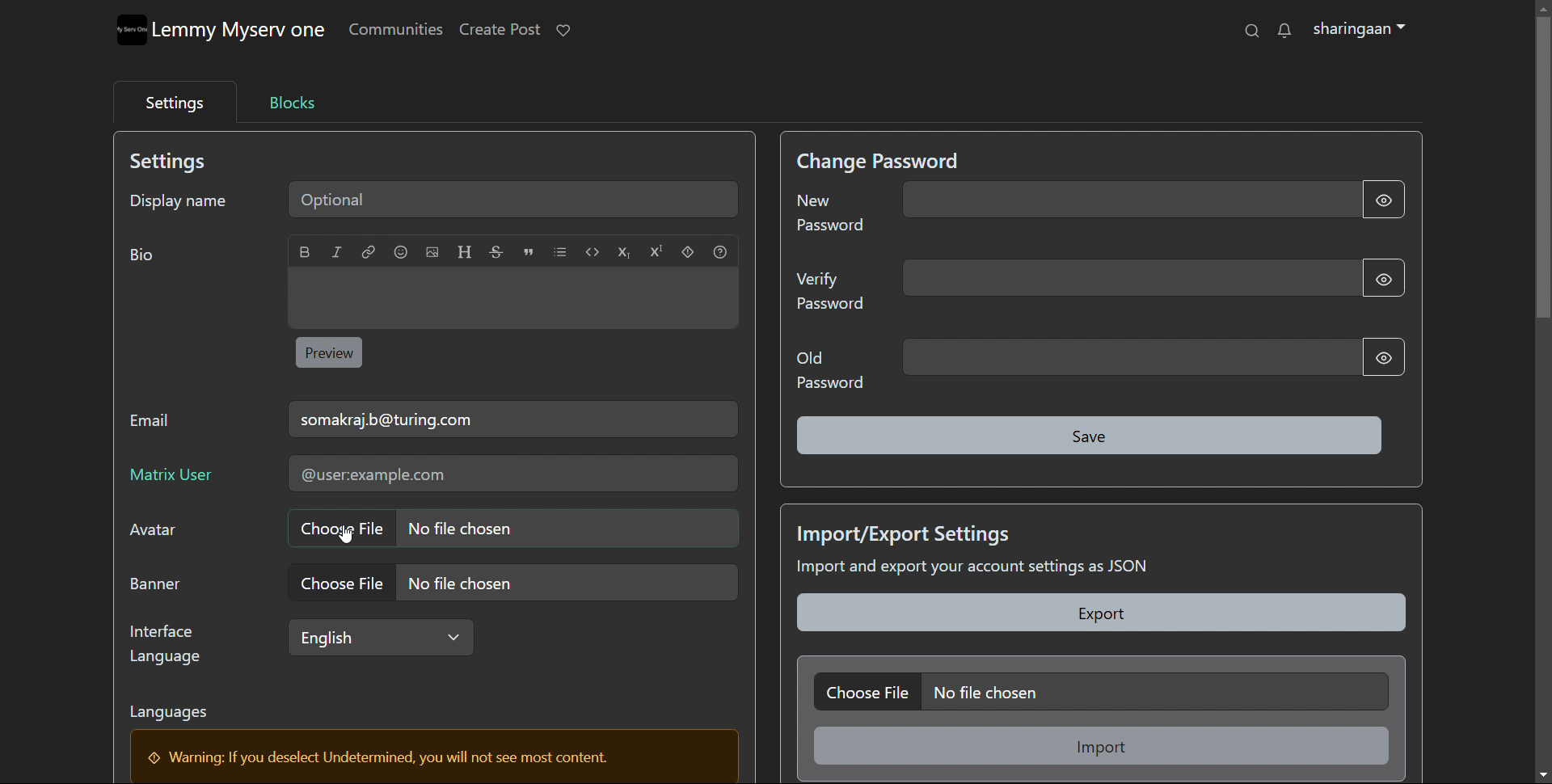 The image size is (1552, 784). What do you see at coordinates (1013, 570) in the screenshot?
I see `Import and export your account settings as JSON` at bounding box center [1013, 570].